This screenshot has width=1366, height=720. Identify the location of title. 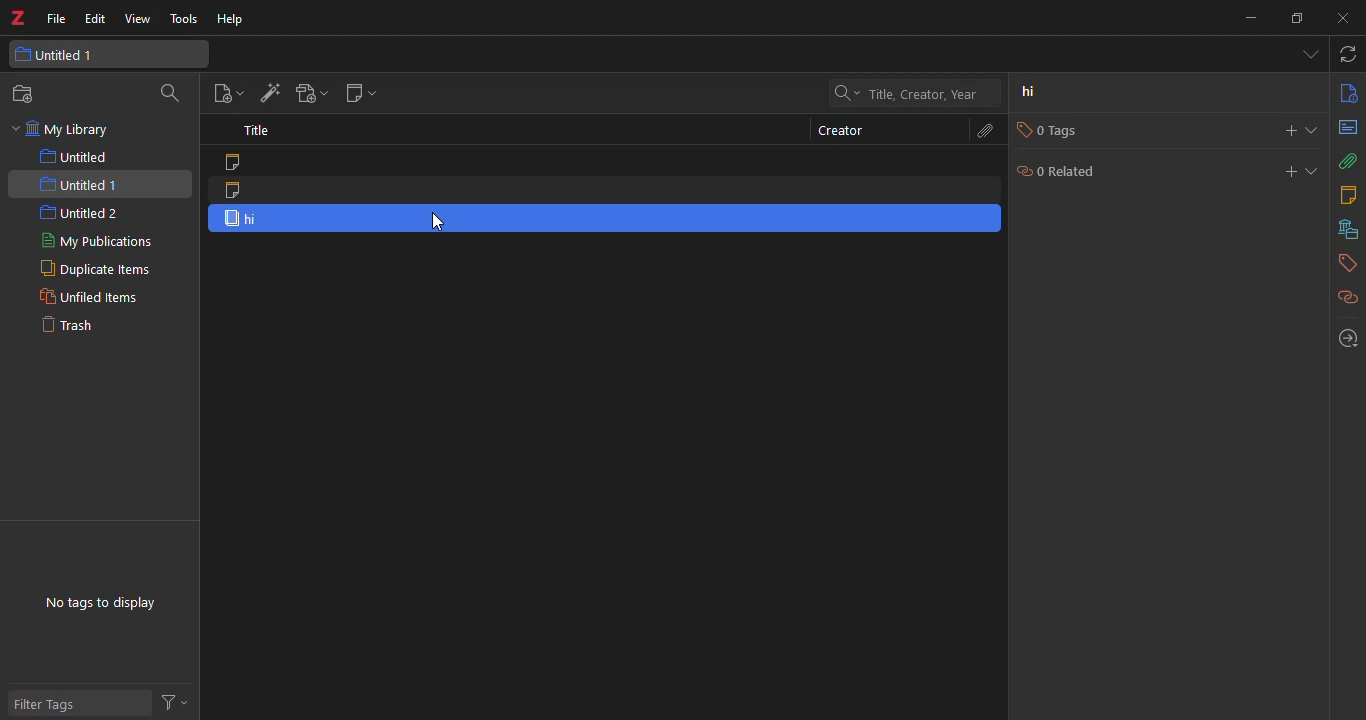
(255, 129).